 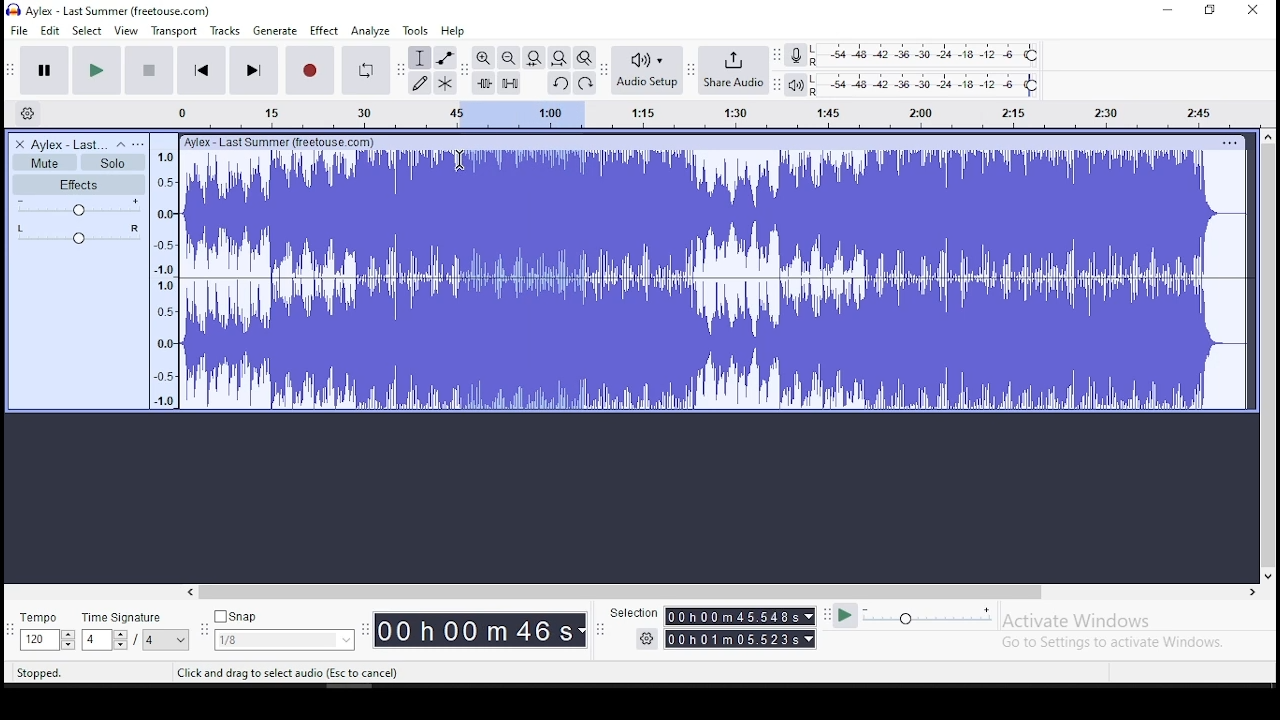 What do you see at coordinates (416, 30) in the screenshot?
I see `tools` at bounding box center [416, 30].